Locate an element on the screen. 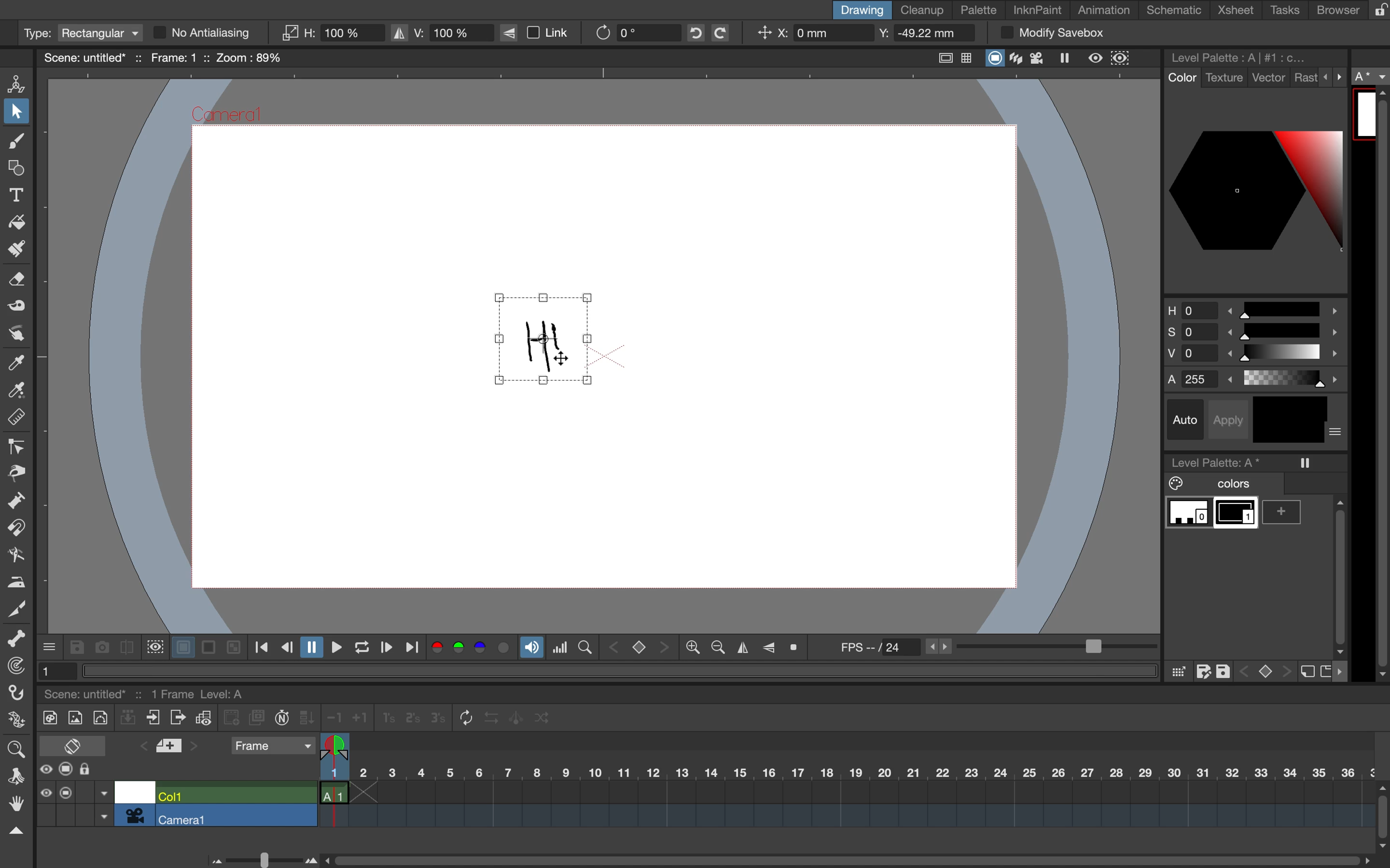  camera is located at coordinates (135, 815).